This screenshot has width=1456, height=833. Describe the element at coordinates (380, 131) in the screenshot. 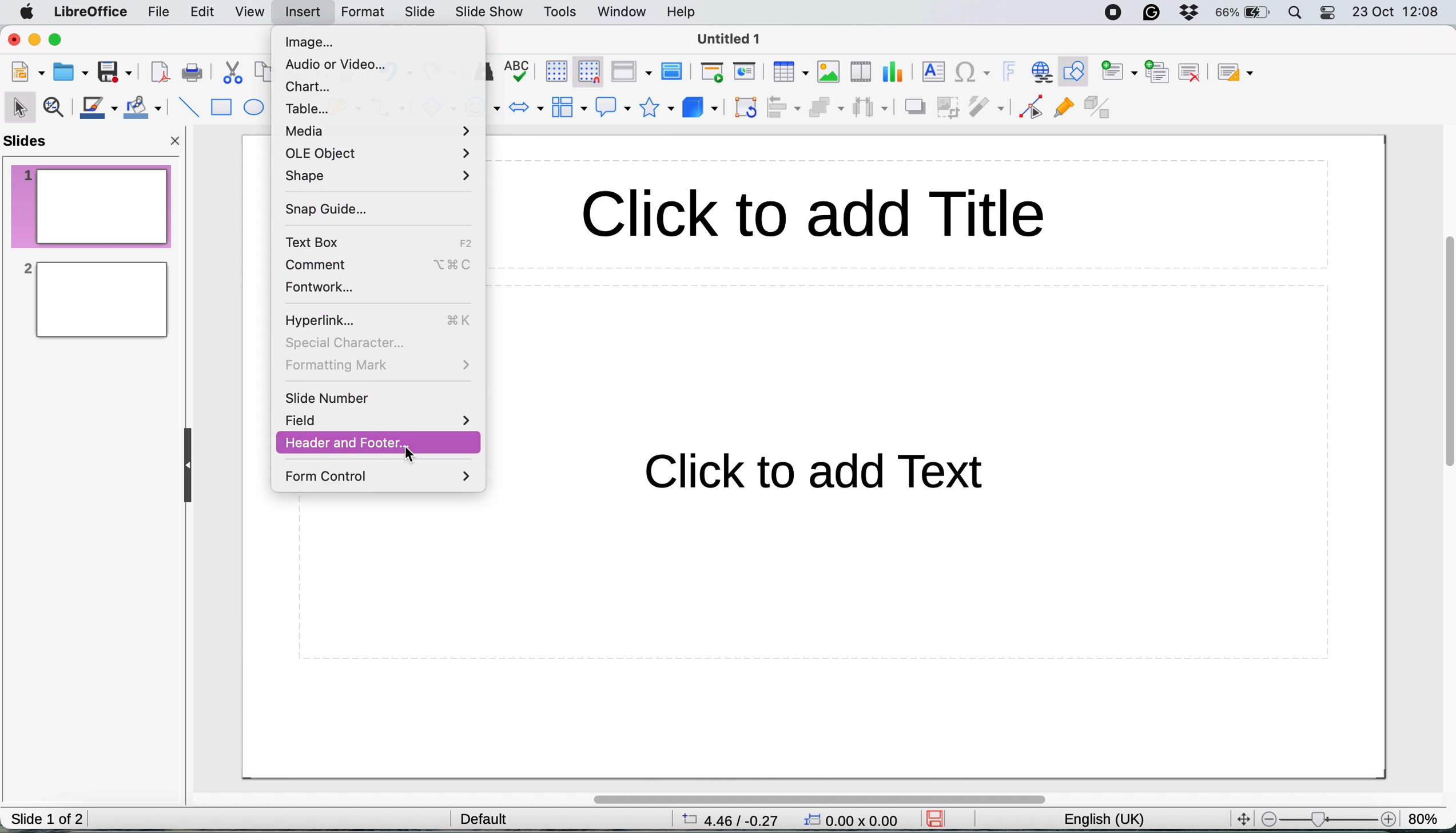

I see `media` at that location.